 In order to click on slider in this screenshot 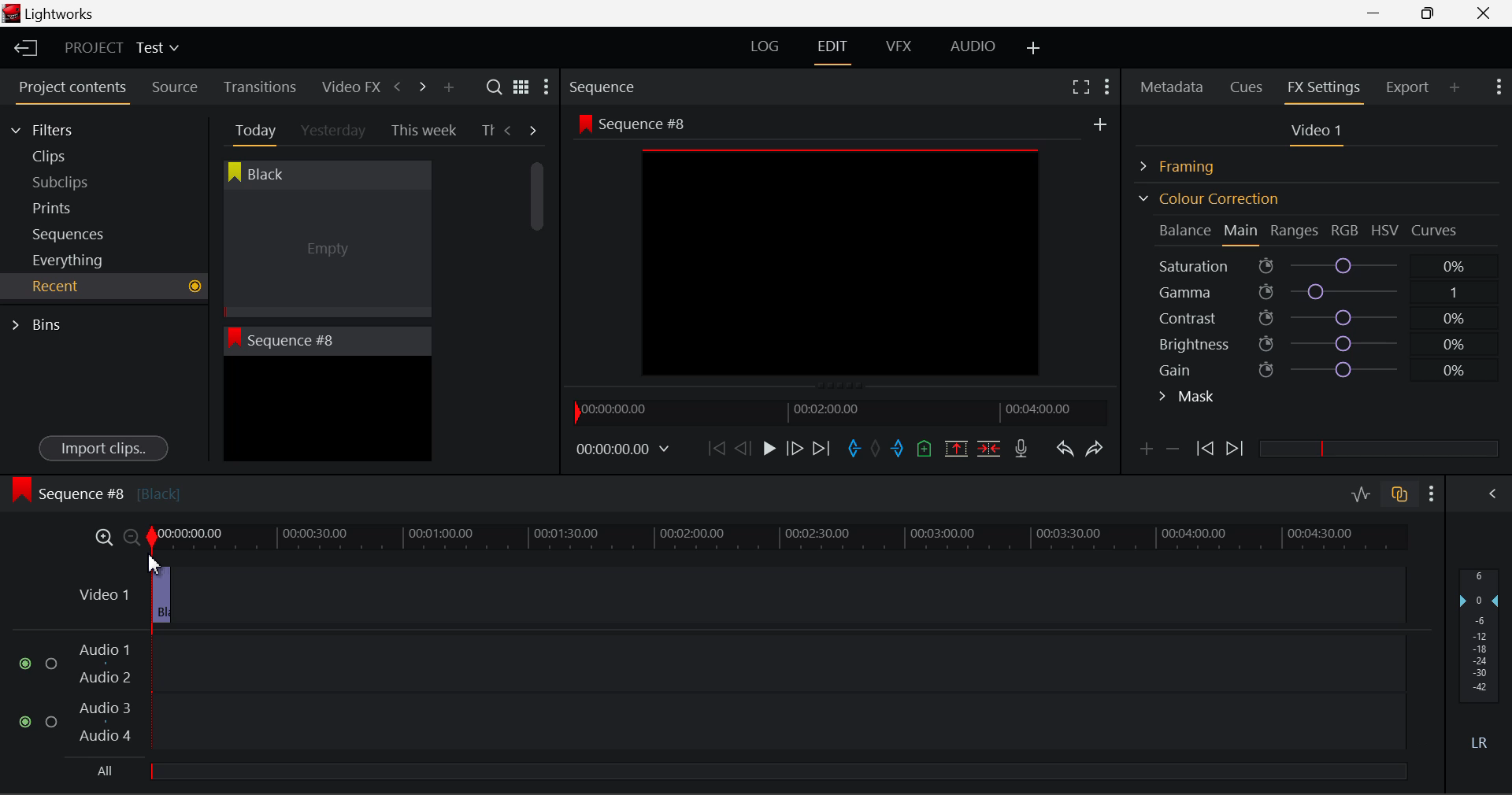, I will do `click(777, 771)`.